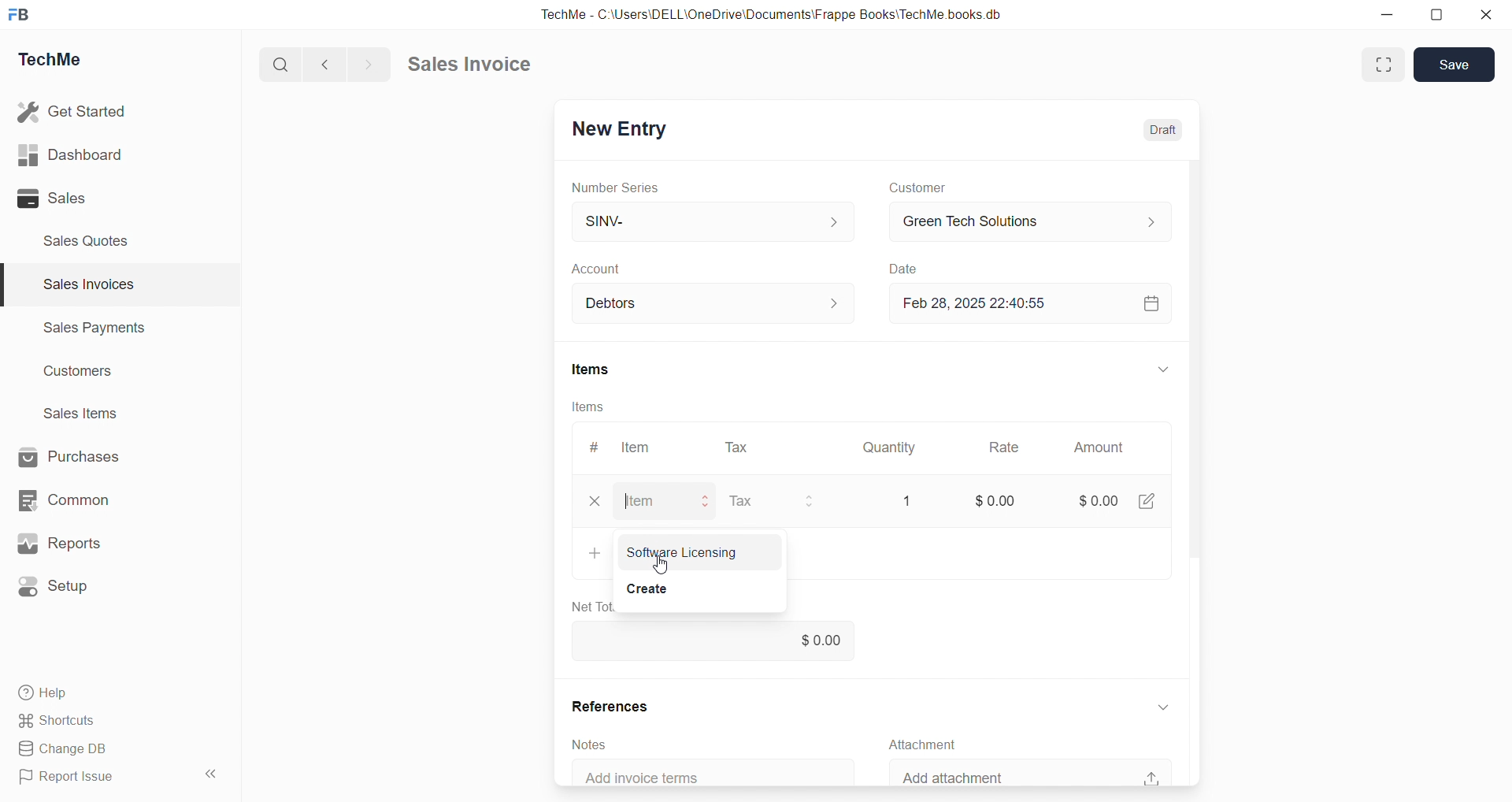 The width and height of the screenshot is (1512, 802). What do you see at coordinates (1384, 65) in the screenshot?
I see `enlarge` at bounding box center [1384, 65].